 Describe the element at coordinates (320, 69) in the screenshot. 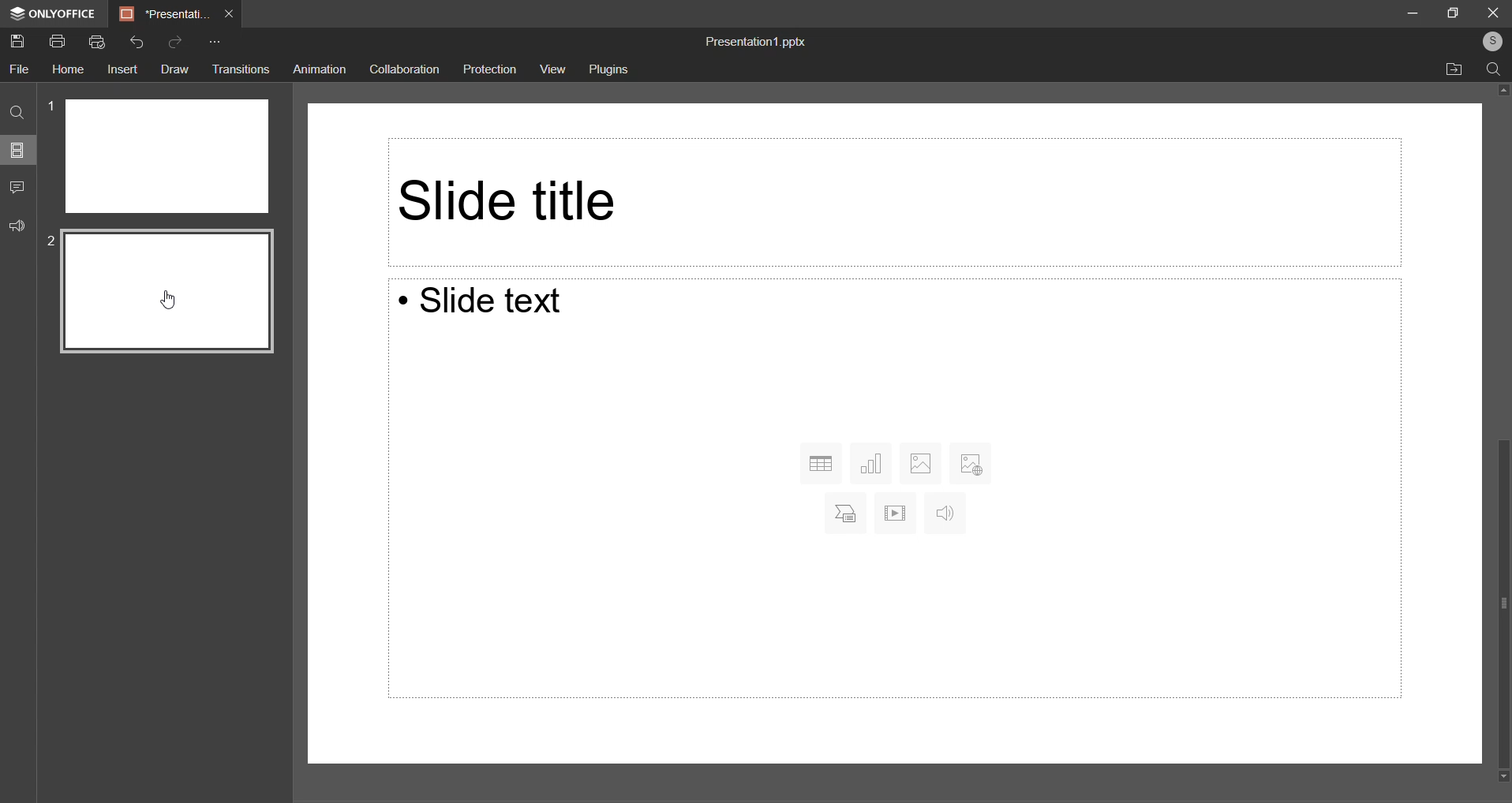

I see `Animation` at that location.